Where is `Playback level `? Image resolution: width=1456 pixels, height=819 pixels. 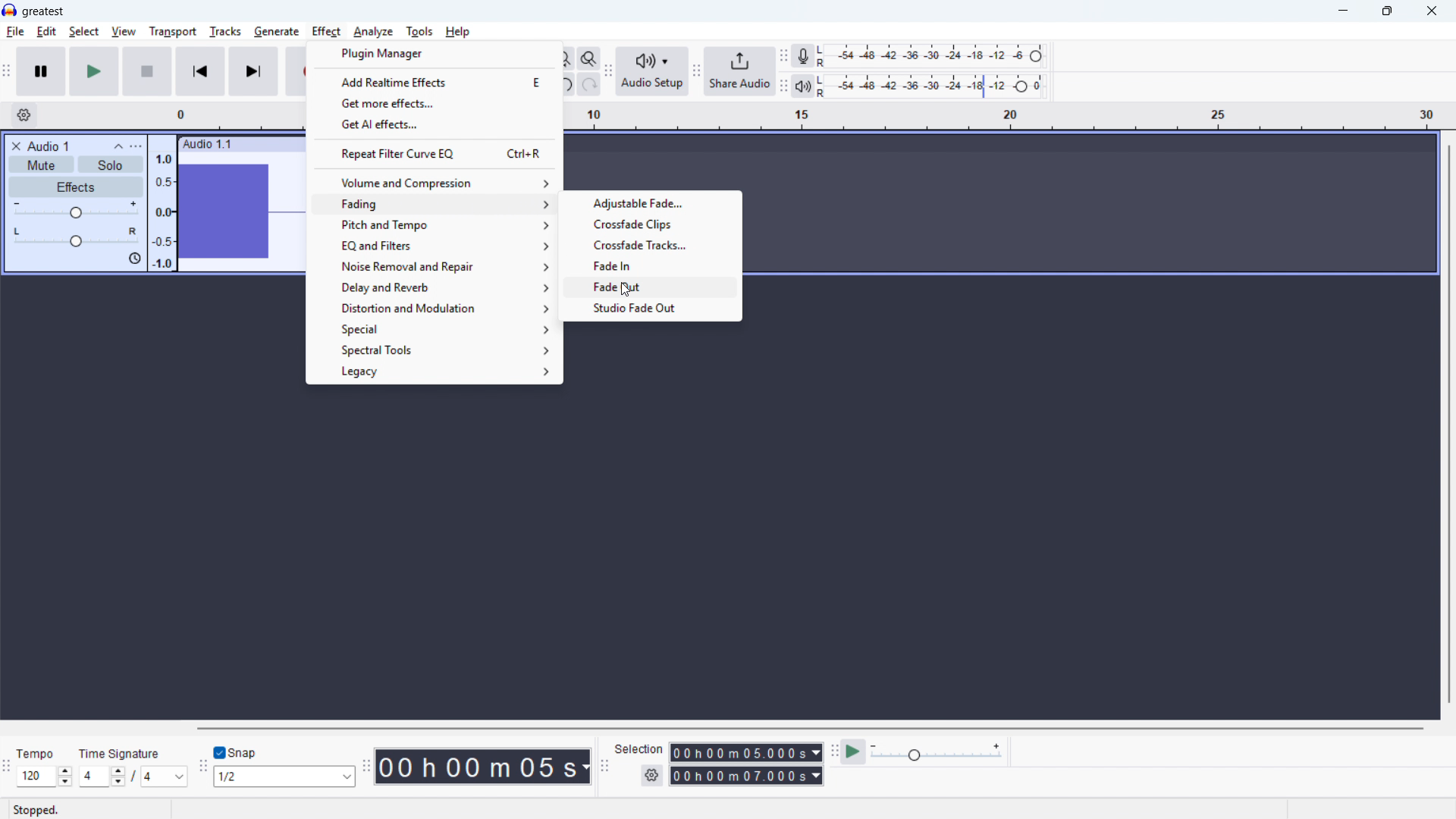
Playback level  is located at coordinates (935, 86).